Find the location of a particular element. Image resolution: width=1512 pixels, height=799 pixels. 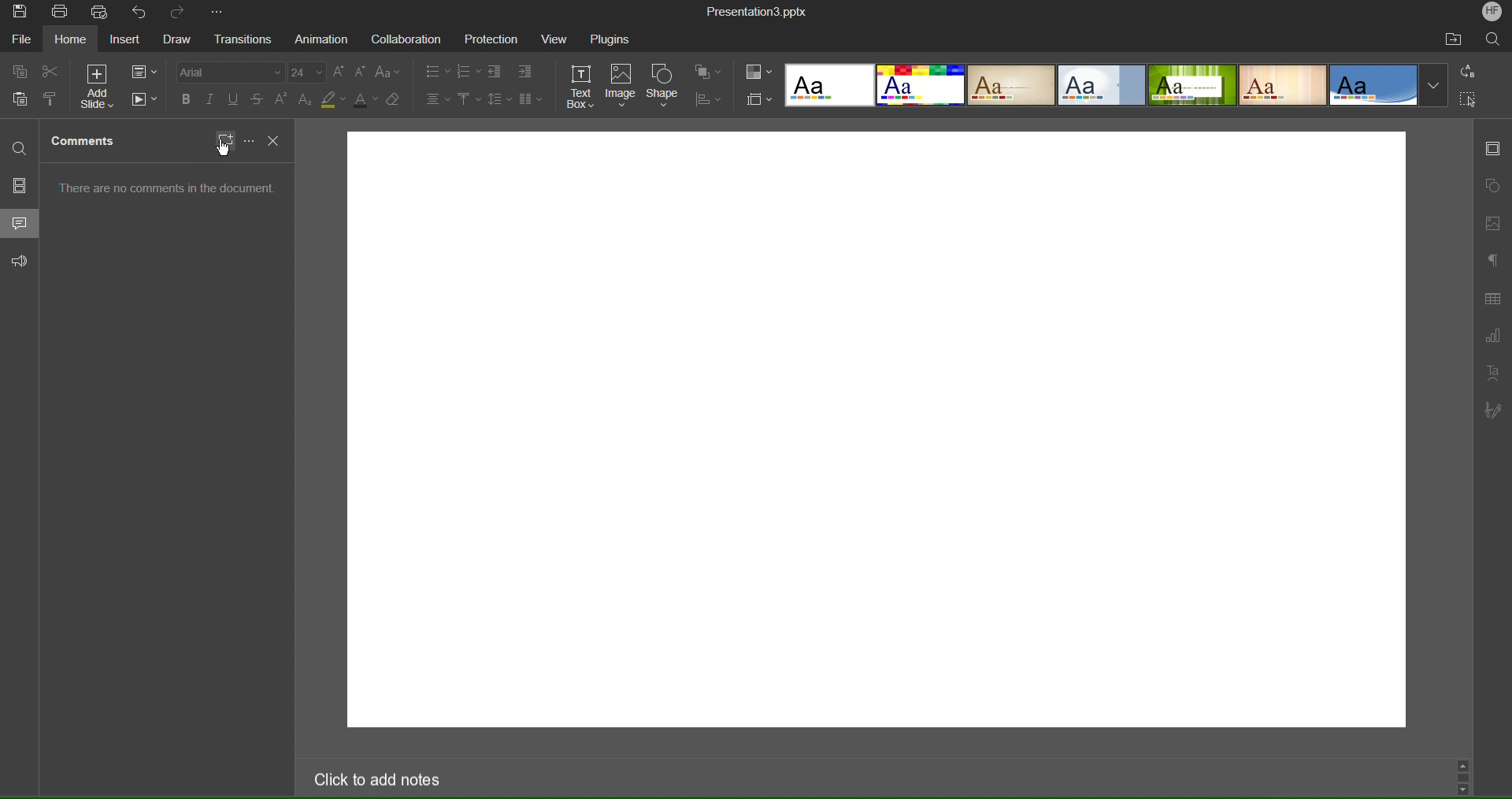

Font is located at coordinates (231, 72).